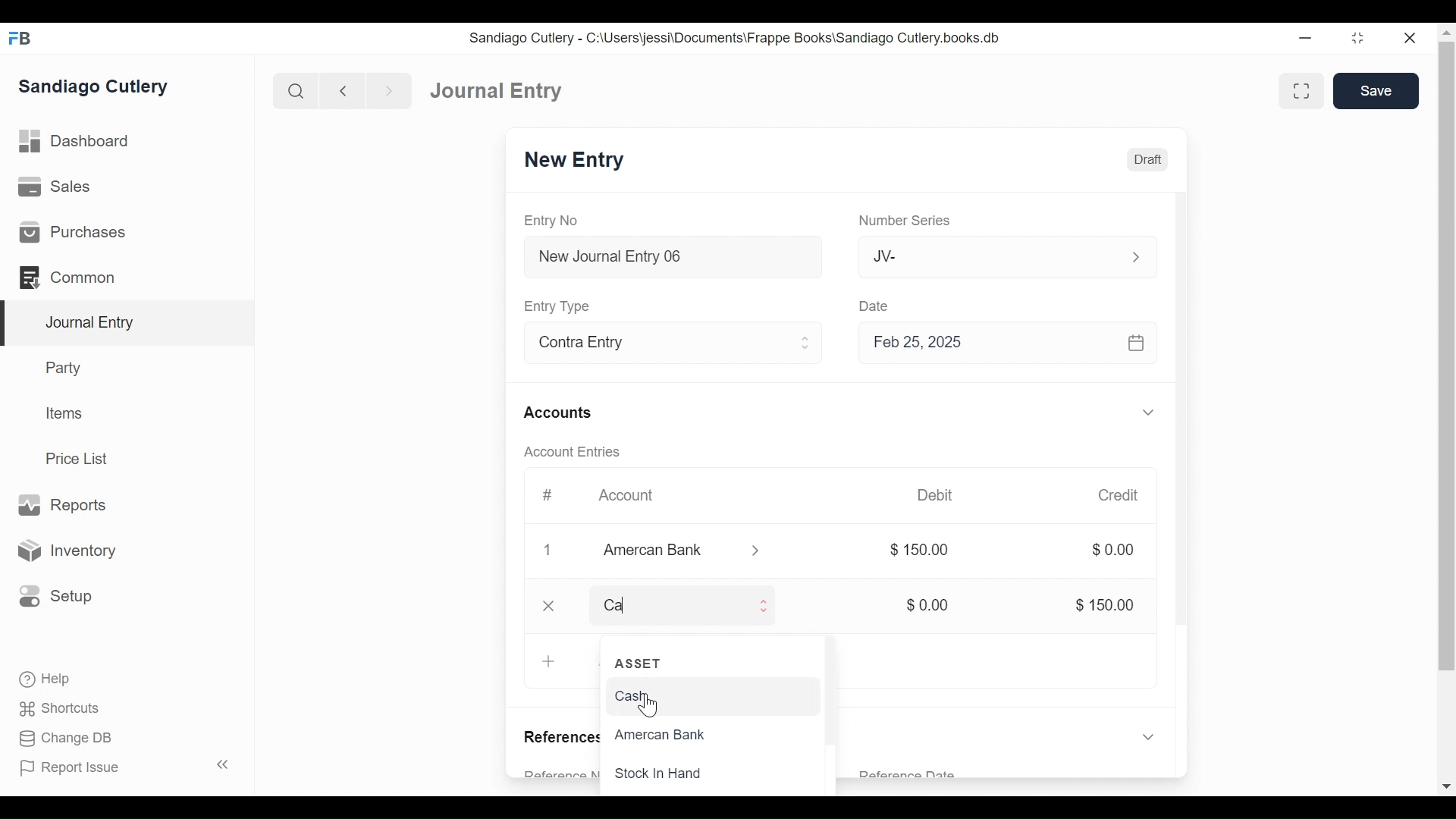 This screenshot has height=819, width=1456. I want to click on $ 150.00, so click(921, 551).